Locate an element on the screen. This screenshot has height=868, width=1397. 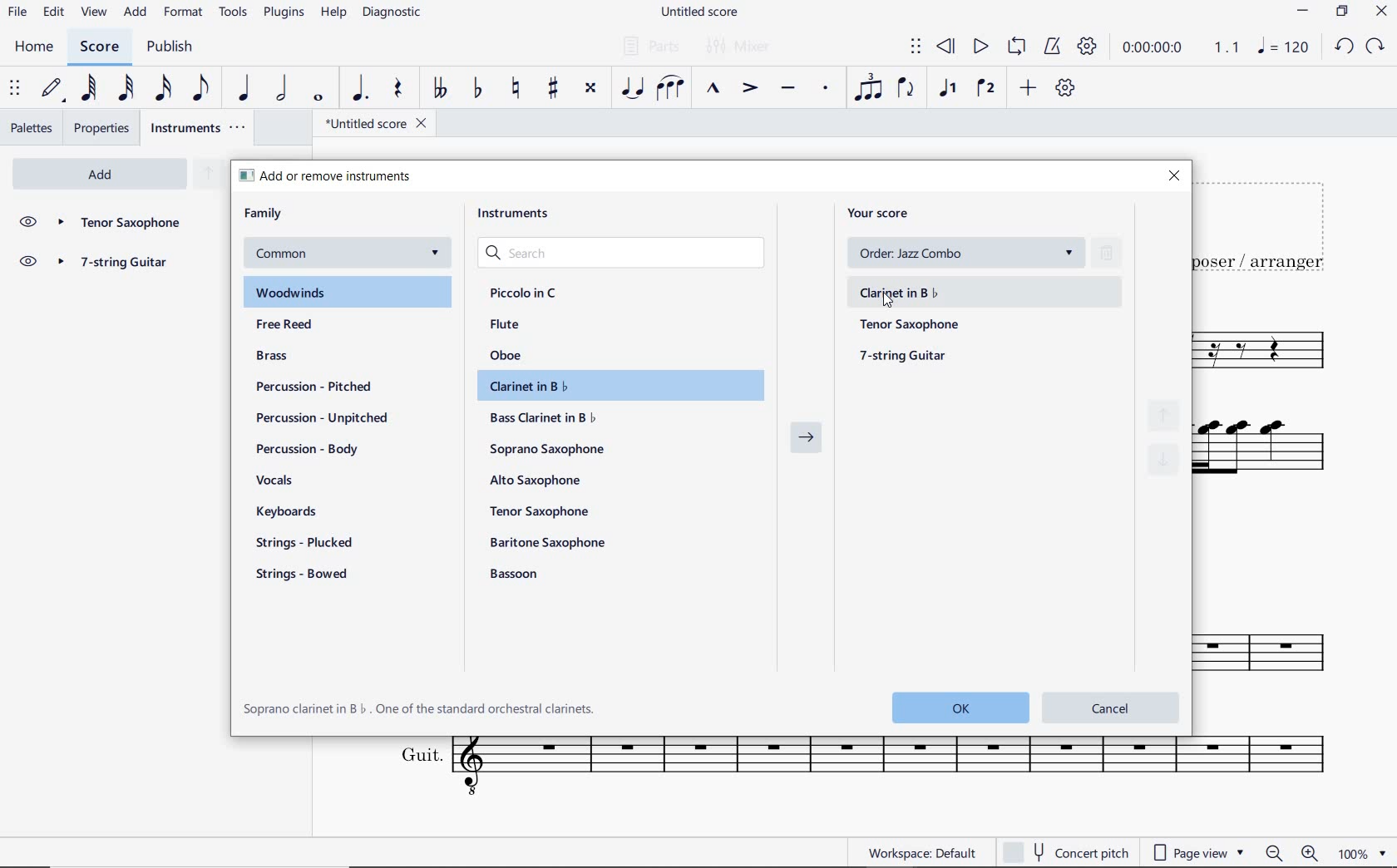
piccolo in c is located at coordinates (525, 293).